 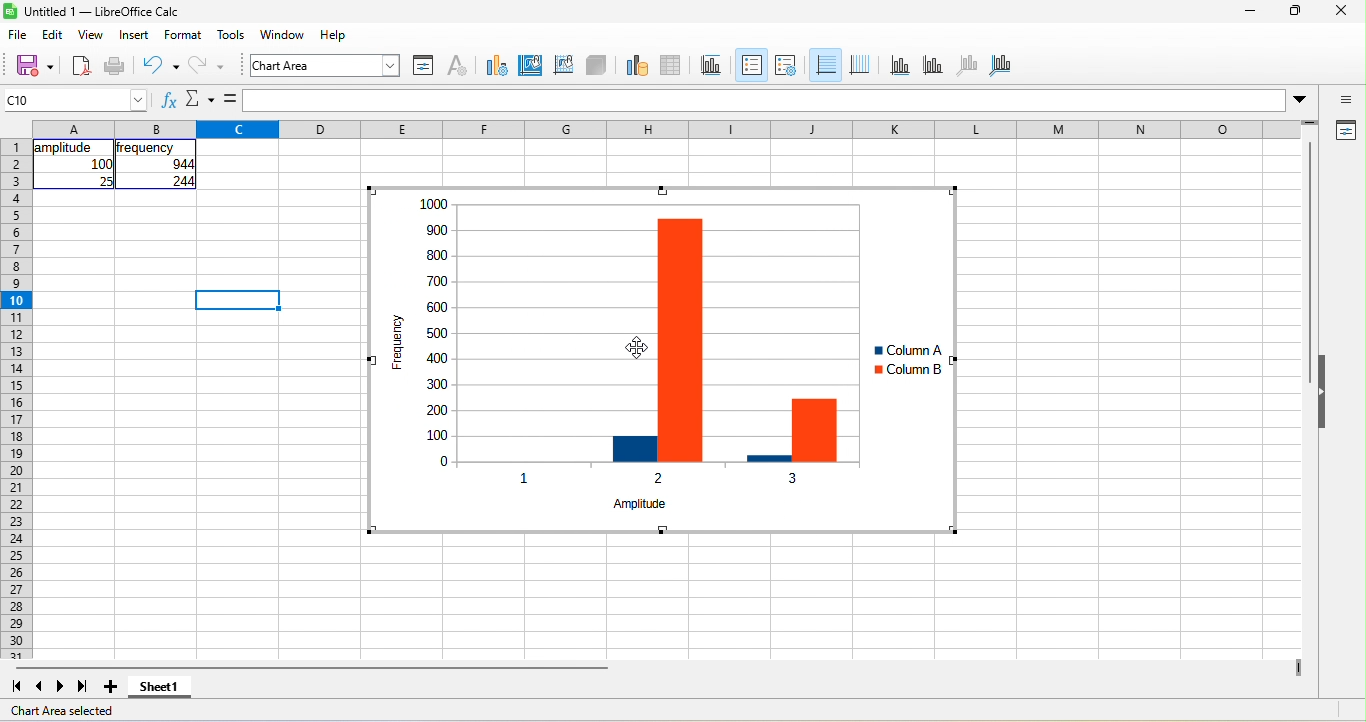 What do you see at coordinates (968, 66) in the screenshot?
I see `z axis` at bounding box center [968, 66].